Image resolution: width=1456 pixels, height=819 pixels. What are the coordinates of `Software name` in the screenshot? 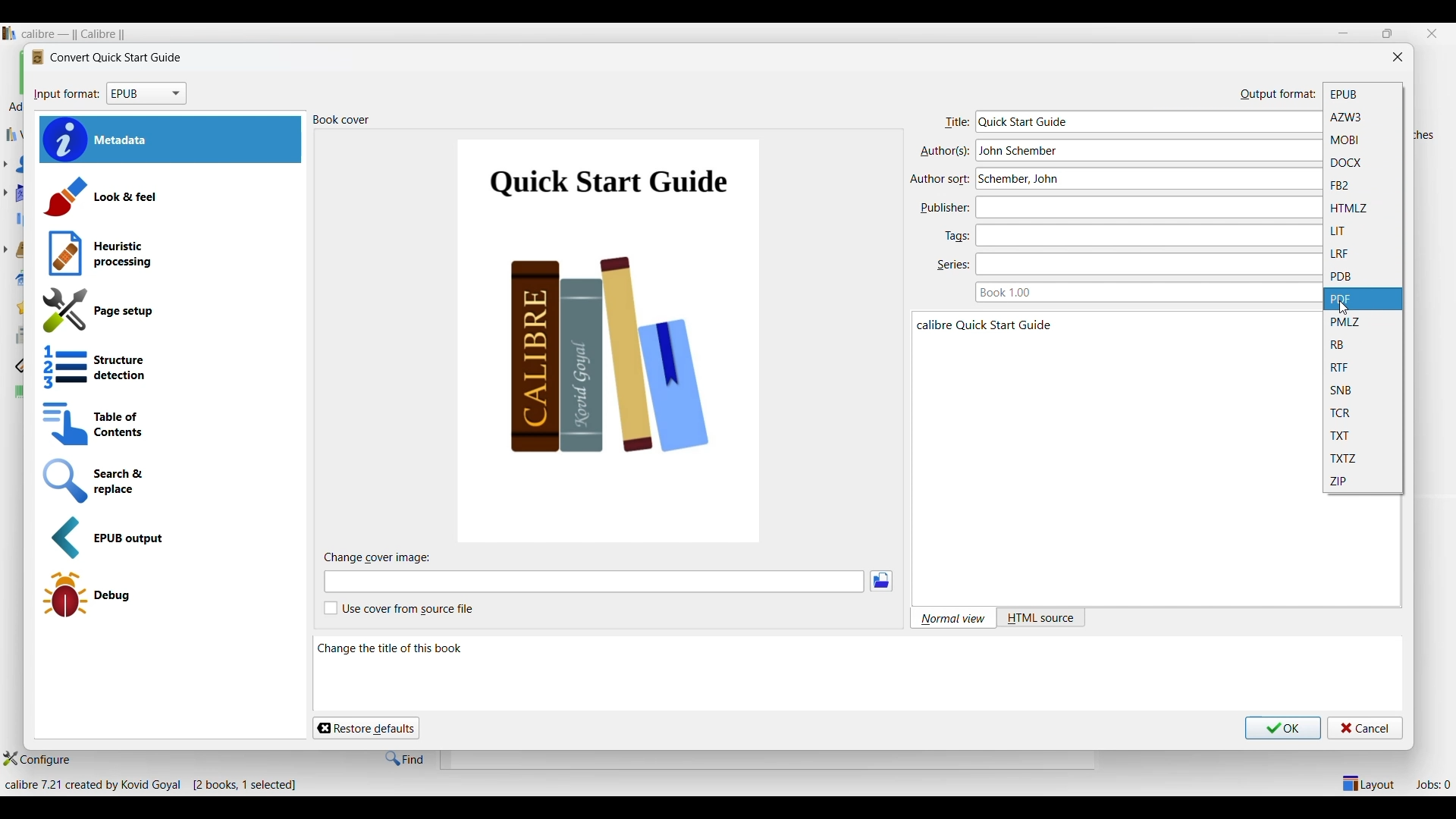 It's located at (78, 34).